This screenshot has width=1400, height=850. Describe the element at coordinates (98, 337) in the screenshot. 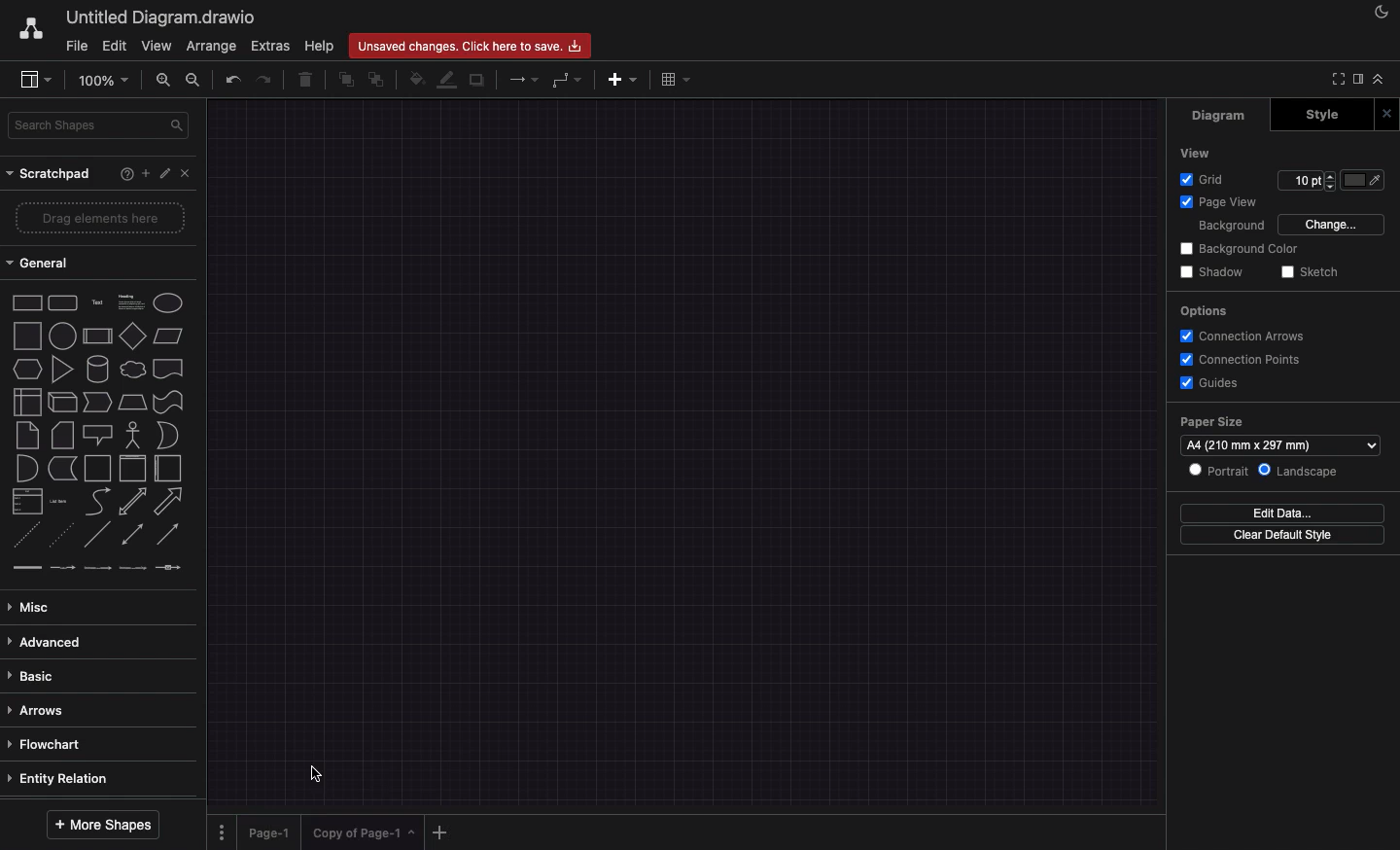

I see `process` at that location.